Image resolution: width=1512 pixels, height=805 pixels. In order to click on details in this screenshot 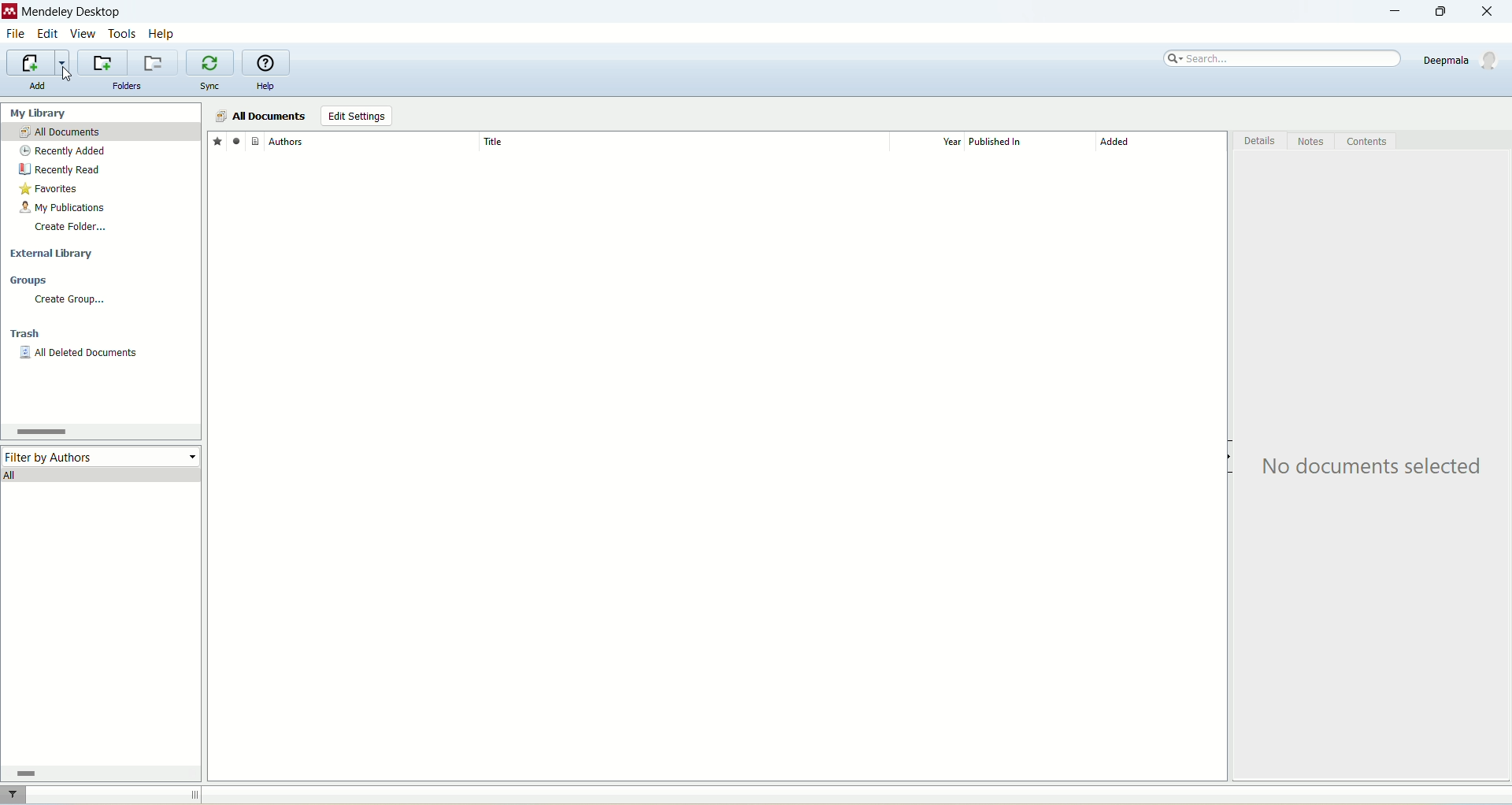, I will do `click(1261, 143)`.